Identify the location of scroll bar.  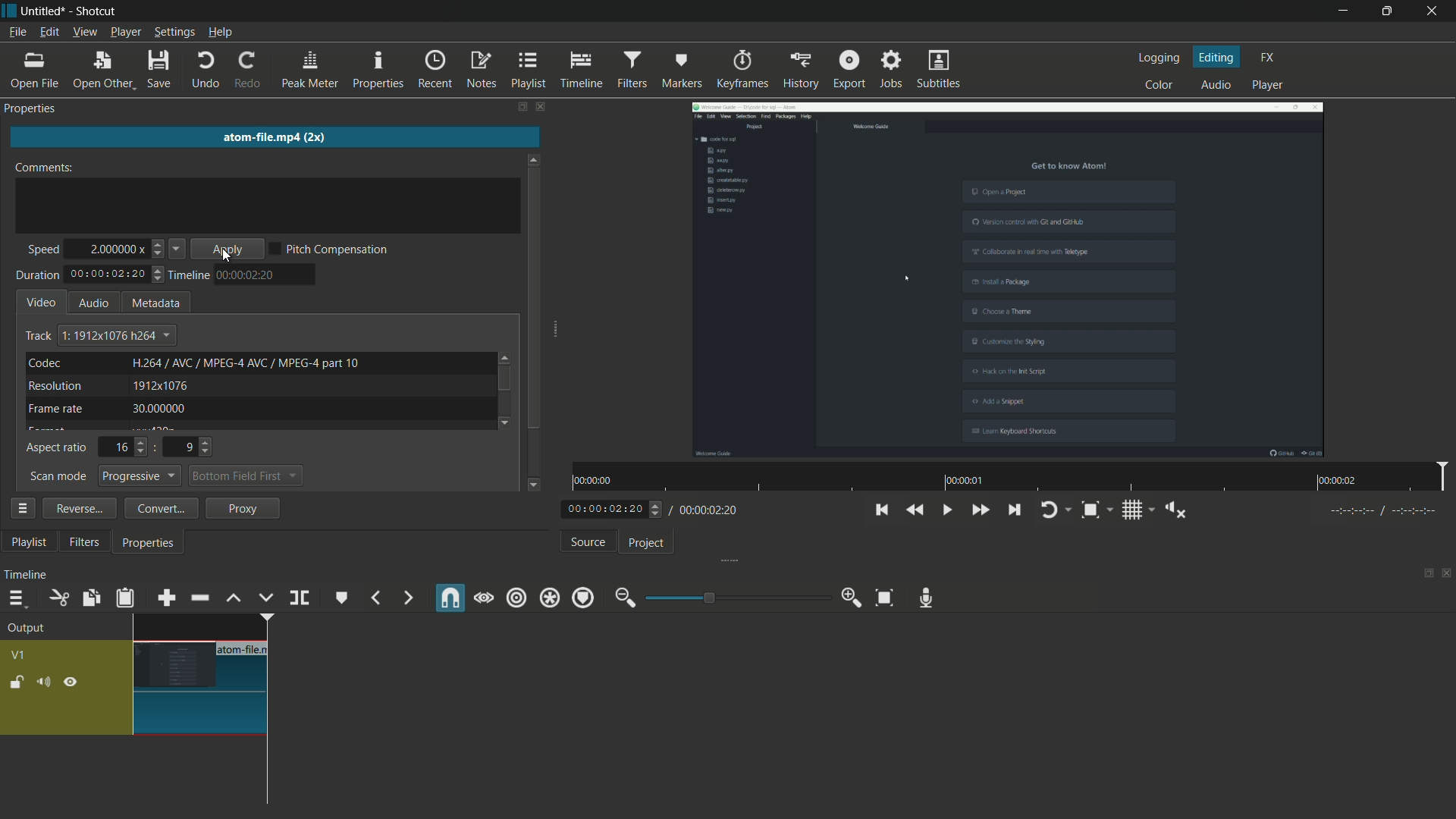
(504, 378).